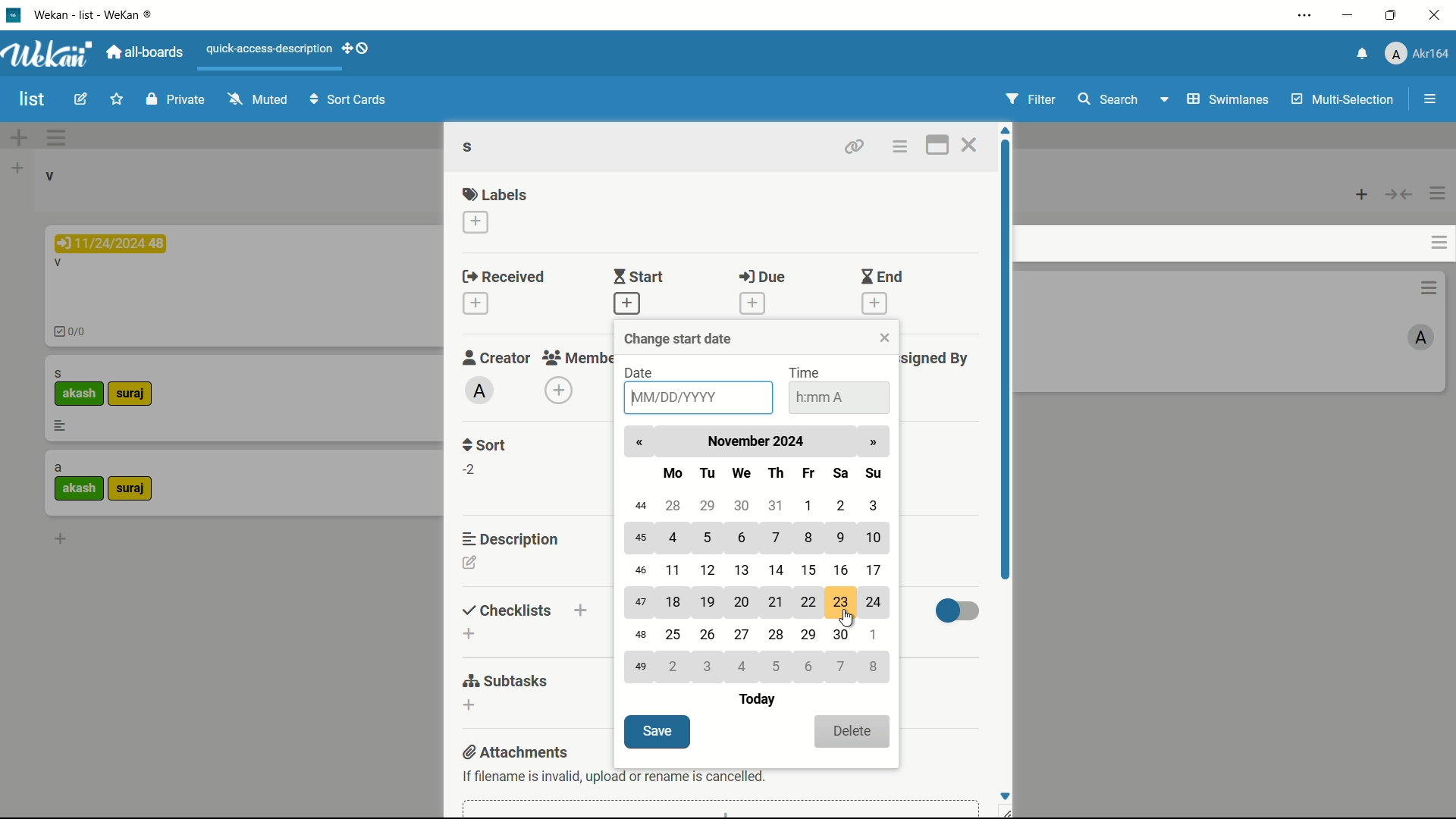 The width and height of the screenshot is (1456, 819). I want to click on card actions, so click(1437, 243).